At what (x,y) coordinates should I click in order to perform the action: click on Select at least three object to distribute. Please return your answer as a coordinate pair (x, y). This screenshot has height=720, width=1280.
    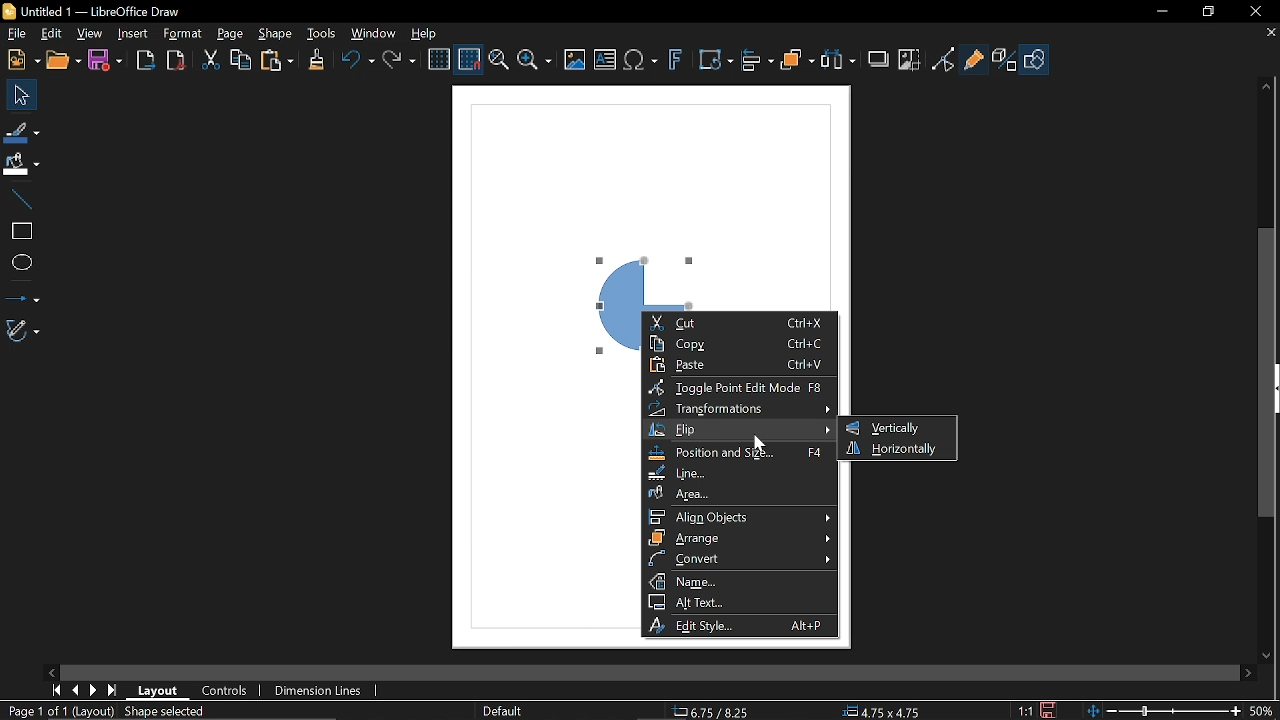
    Looking at the image, I should click on (838, 60).